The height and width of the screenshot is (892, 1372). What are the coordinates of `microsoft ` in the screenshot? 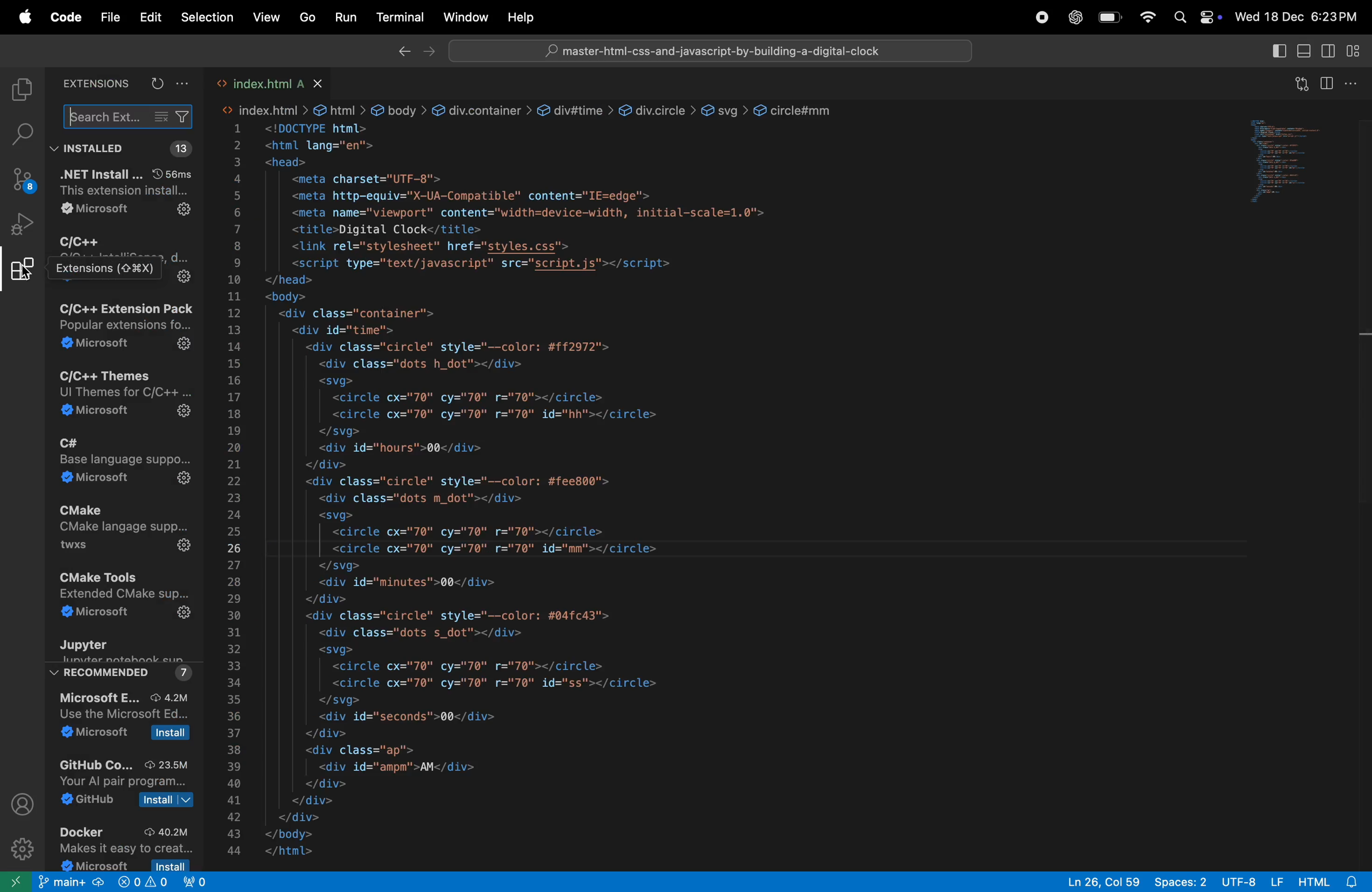 It's located at (130, 720).